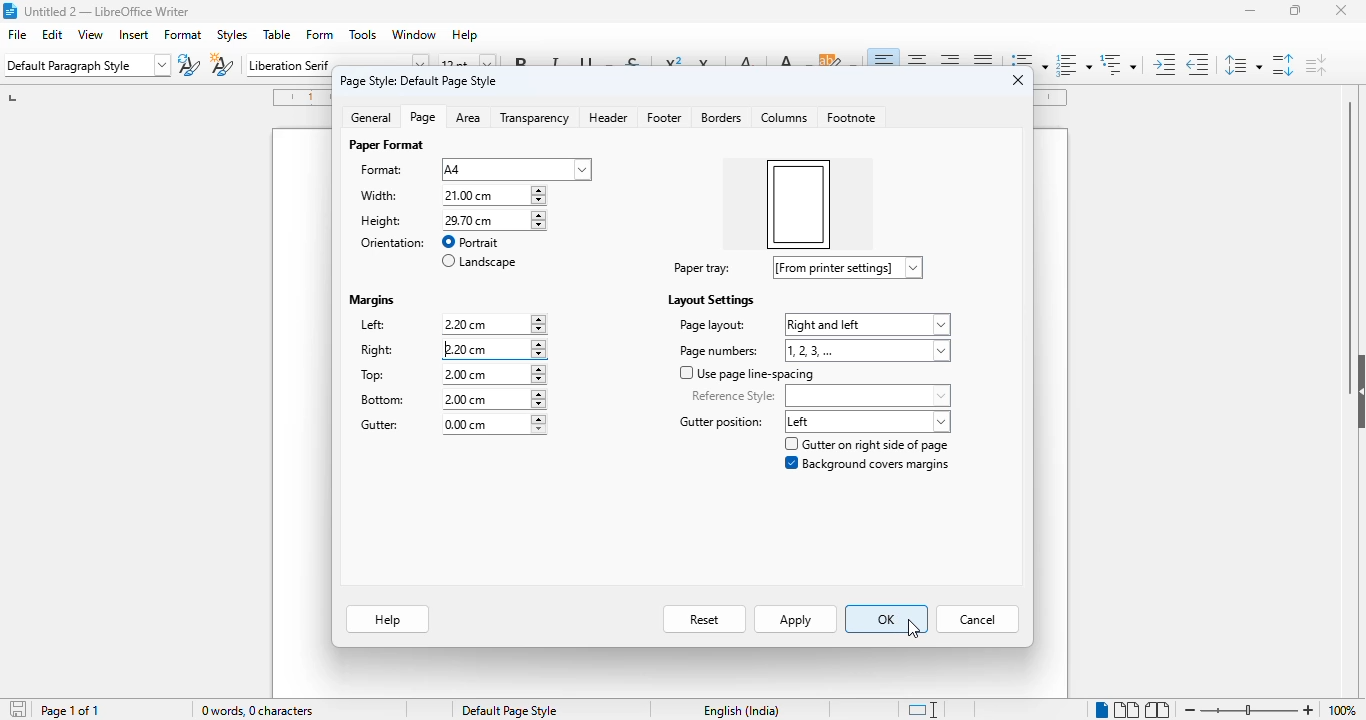  Describe the element at coordinates (713, 300) in the screenshot. I see `layout settings` at that location.